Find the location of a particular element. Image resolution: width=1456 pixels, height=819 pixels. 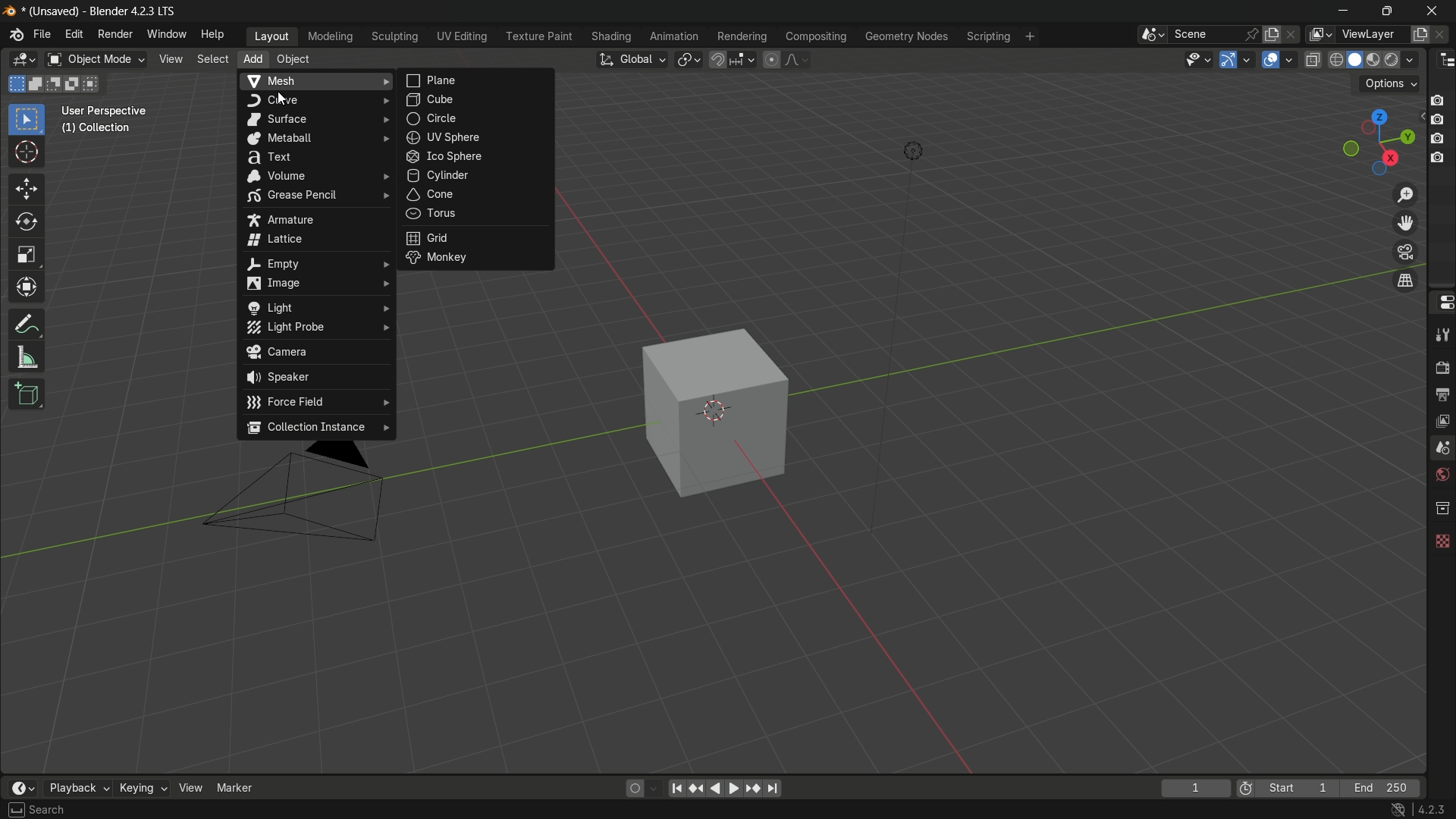

blender logo is located at coordinates (11, 11).